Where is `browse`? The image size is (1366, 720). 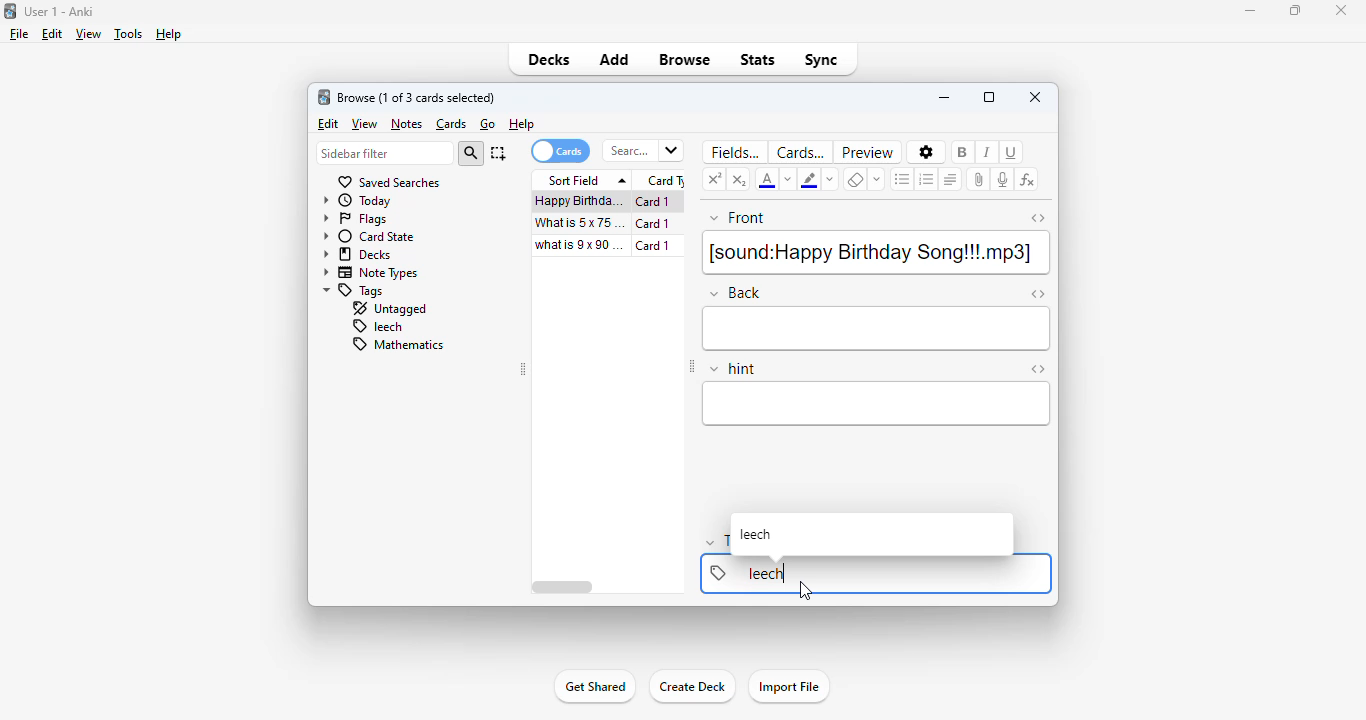 browse is located at coordinates (684, 60).